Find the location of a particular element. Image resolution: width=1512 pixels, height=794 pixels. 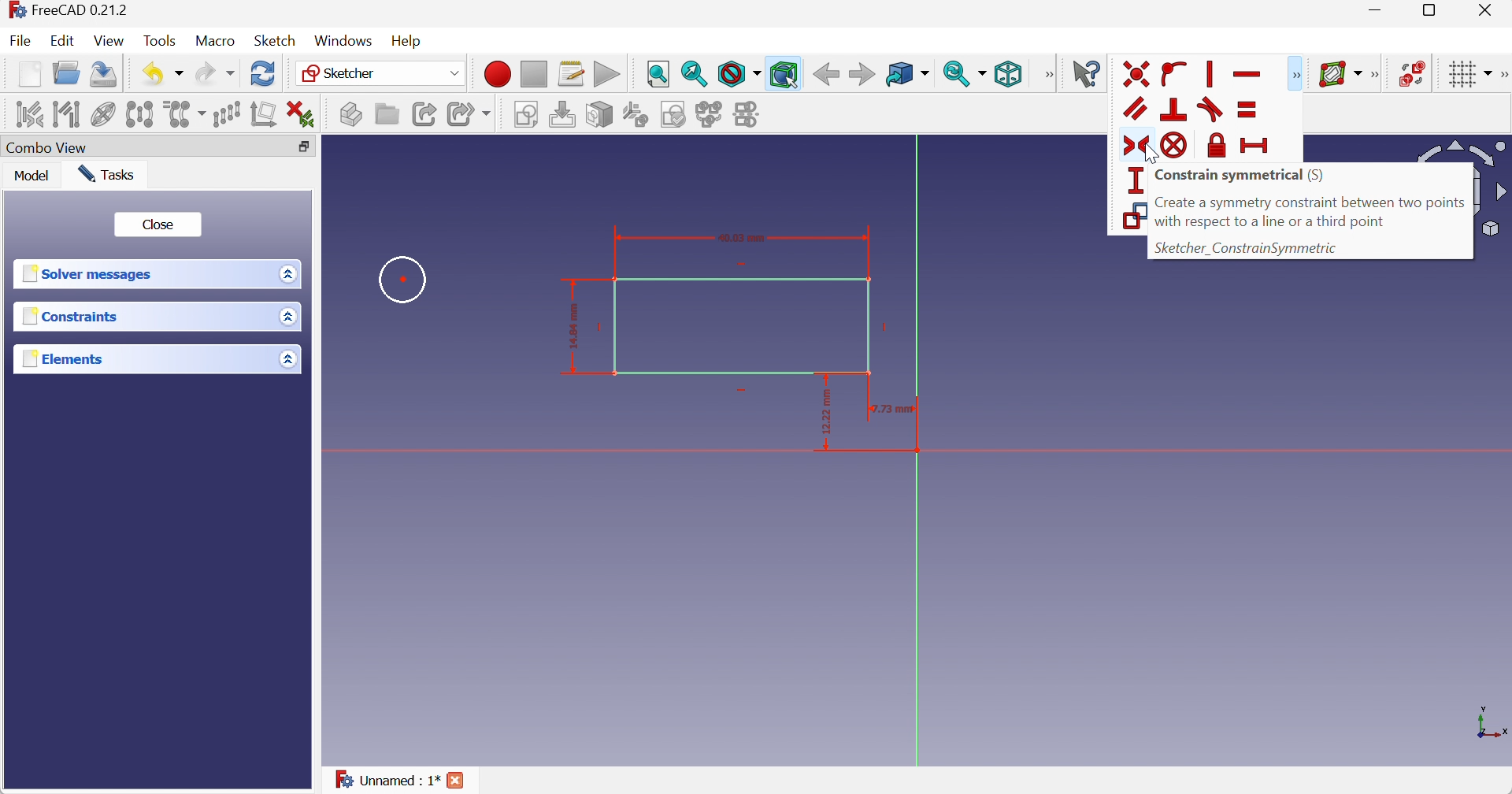

Macro recording... is located at coordinates (497, 74).